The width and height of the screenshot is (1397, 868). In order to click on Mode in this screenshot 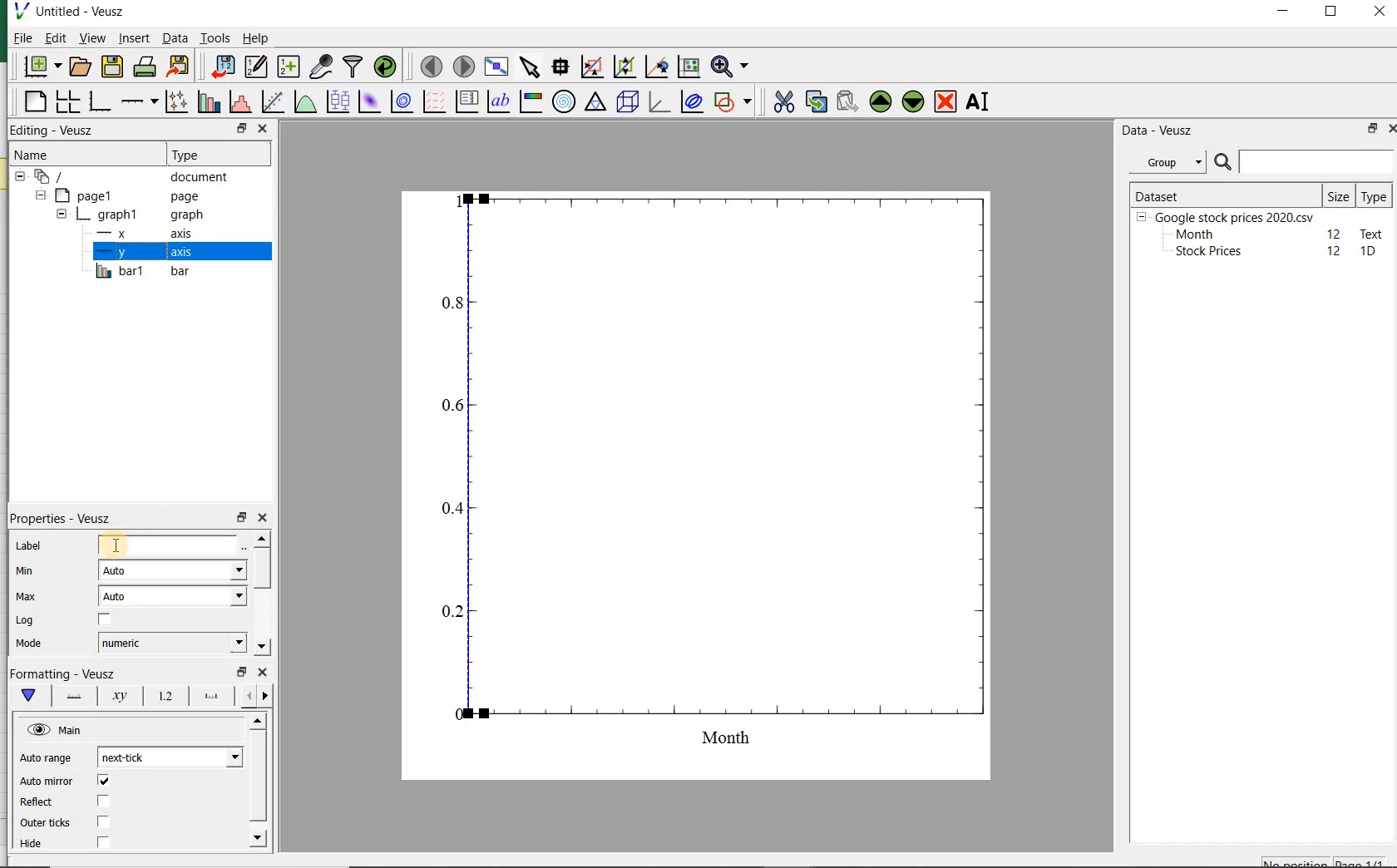, I will do `click(26, 644)`.